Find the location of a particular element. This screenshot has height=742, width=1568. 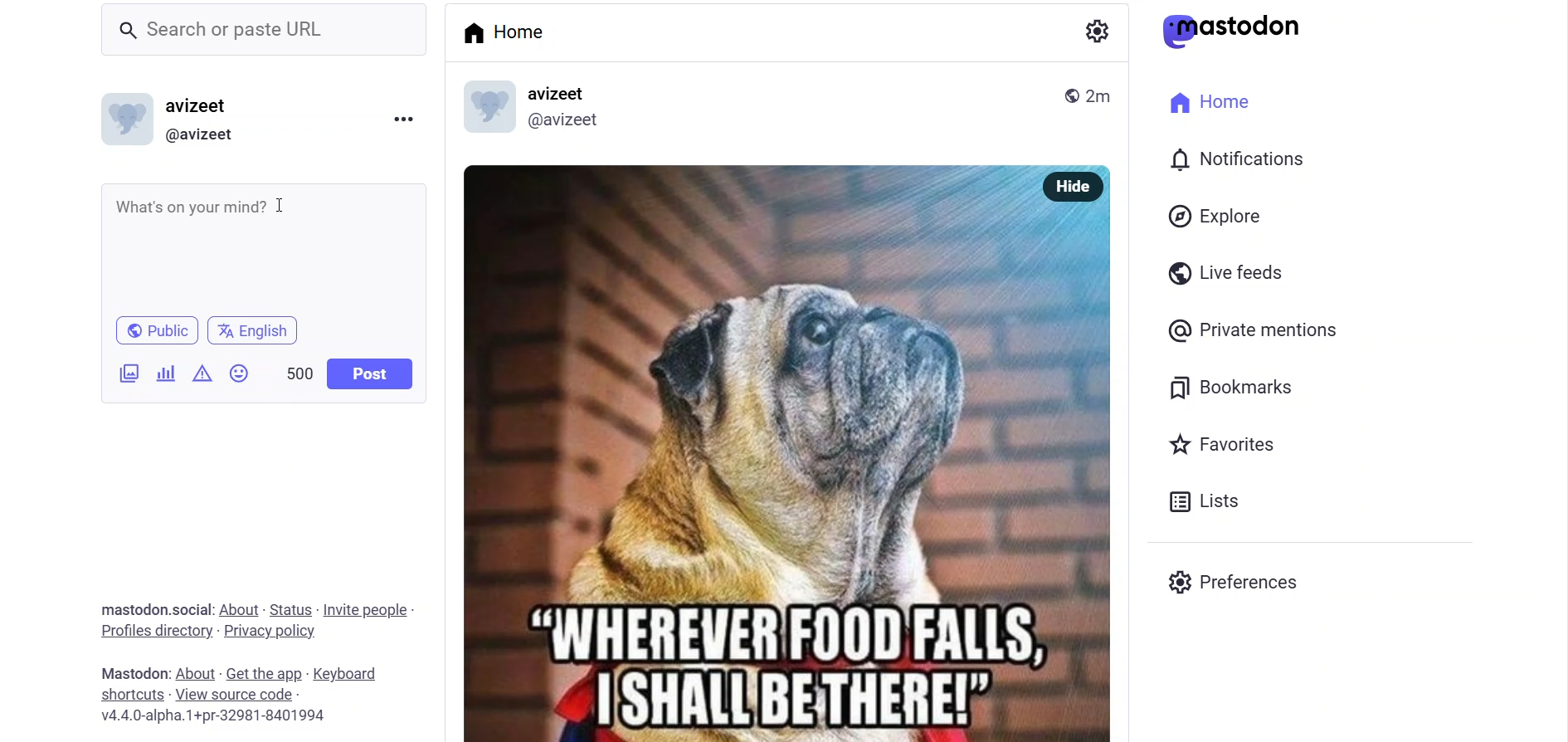

status is located at coordinates (289, 608).